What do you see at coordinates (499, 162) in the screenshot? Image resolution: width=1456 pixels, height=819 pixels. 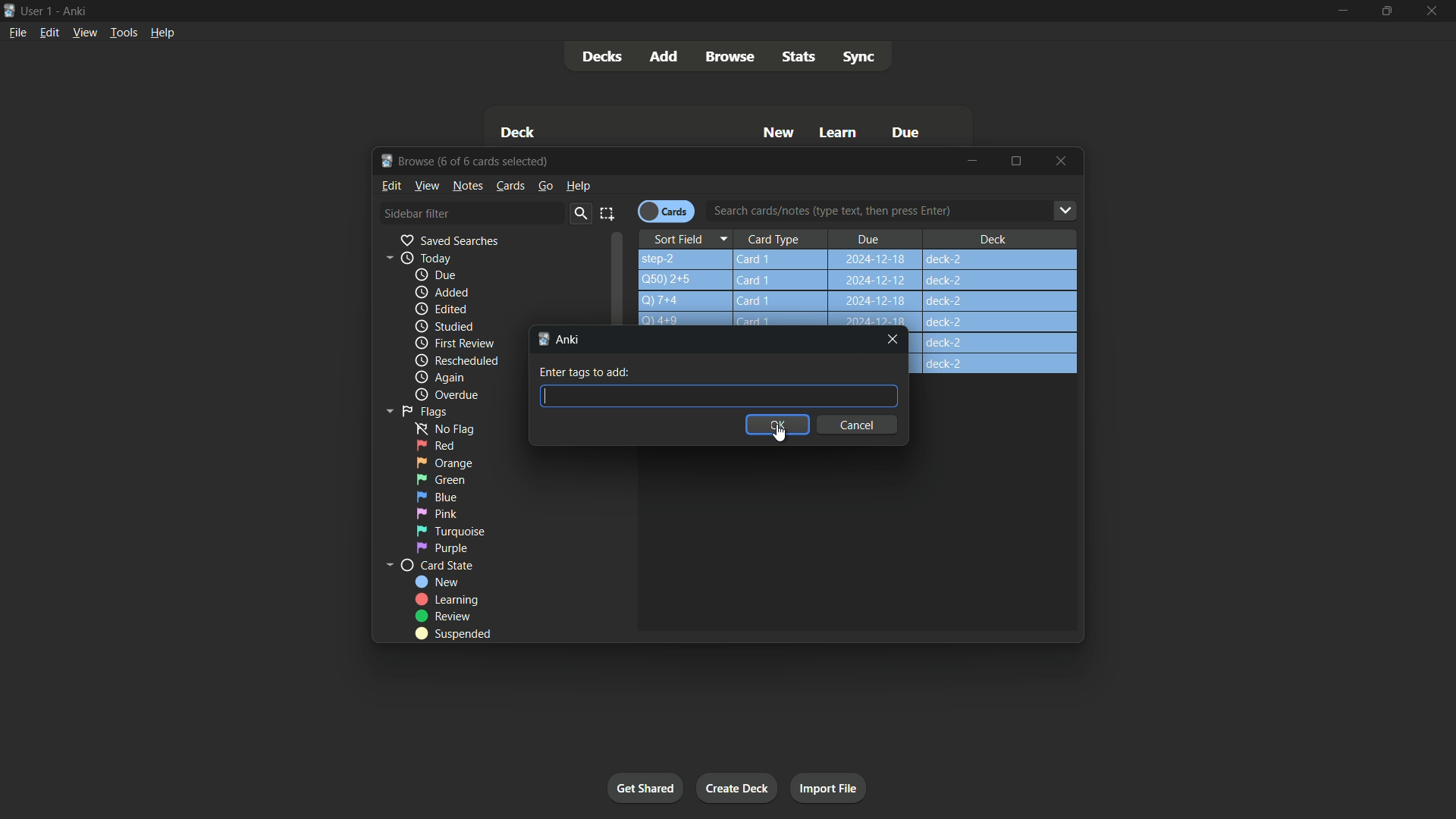 I see `One of six cards selected` at bounding box center [499, 162].